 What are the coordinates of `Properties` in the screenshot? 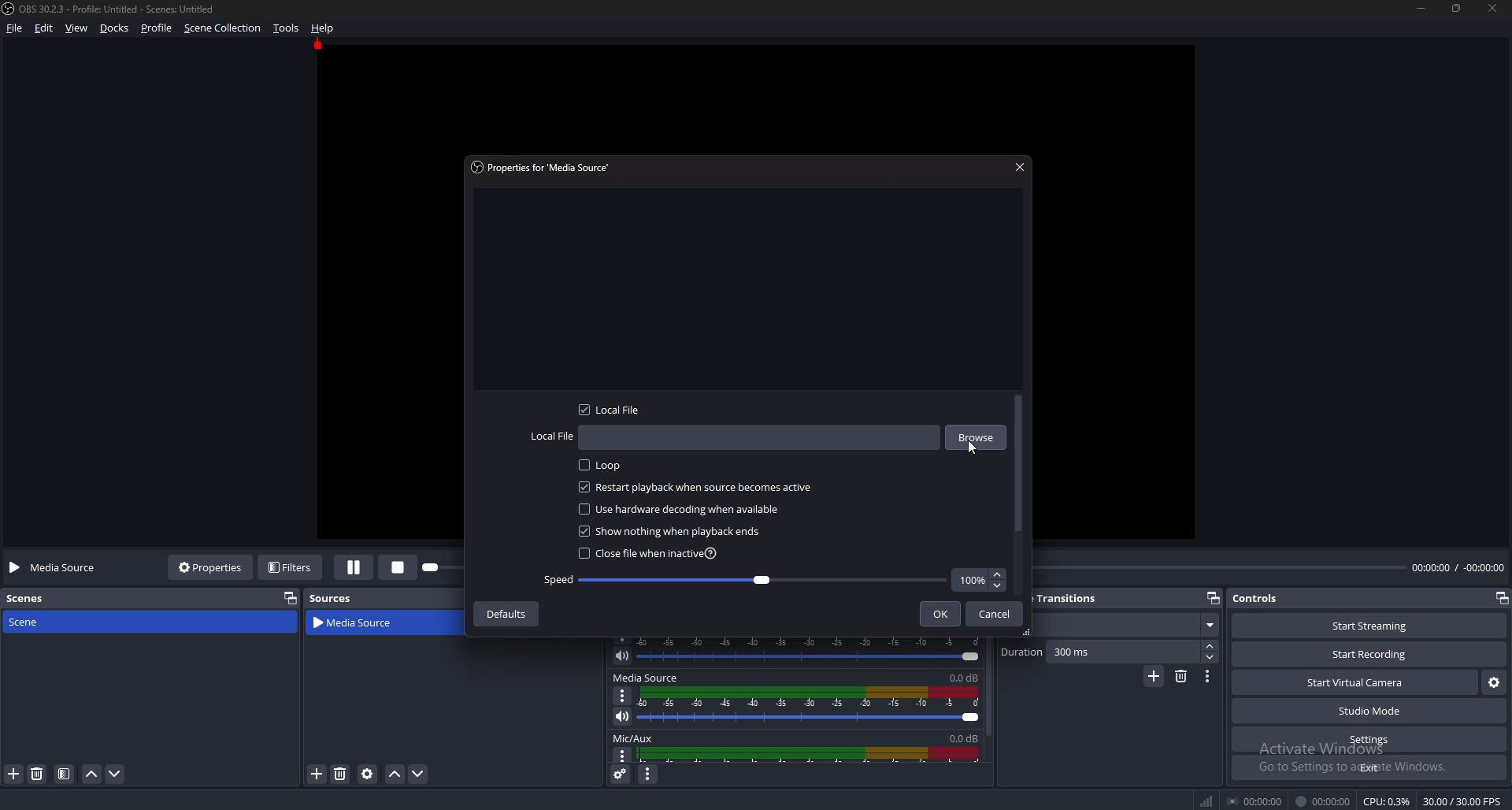 It's located at (210, 567).